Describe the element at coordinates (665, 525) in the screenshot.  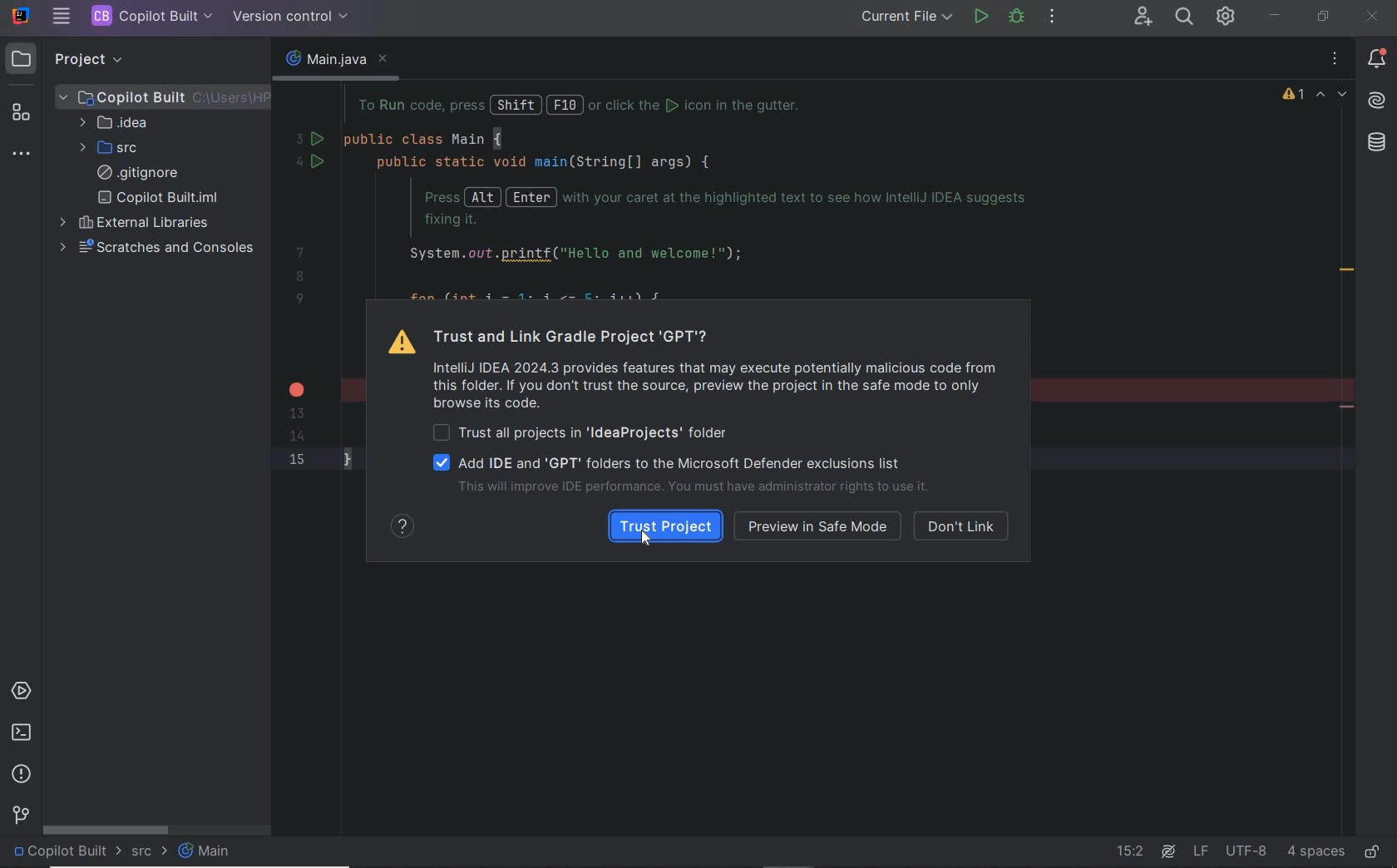
I see `TRUST PROJECT` at that location.